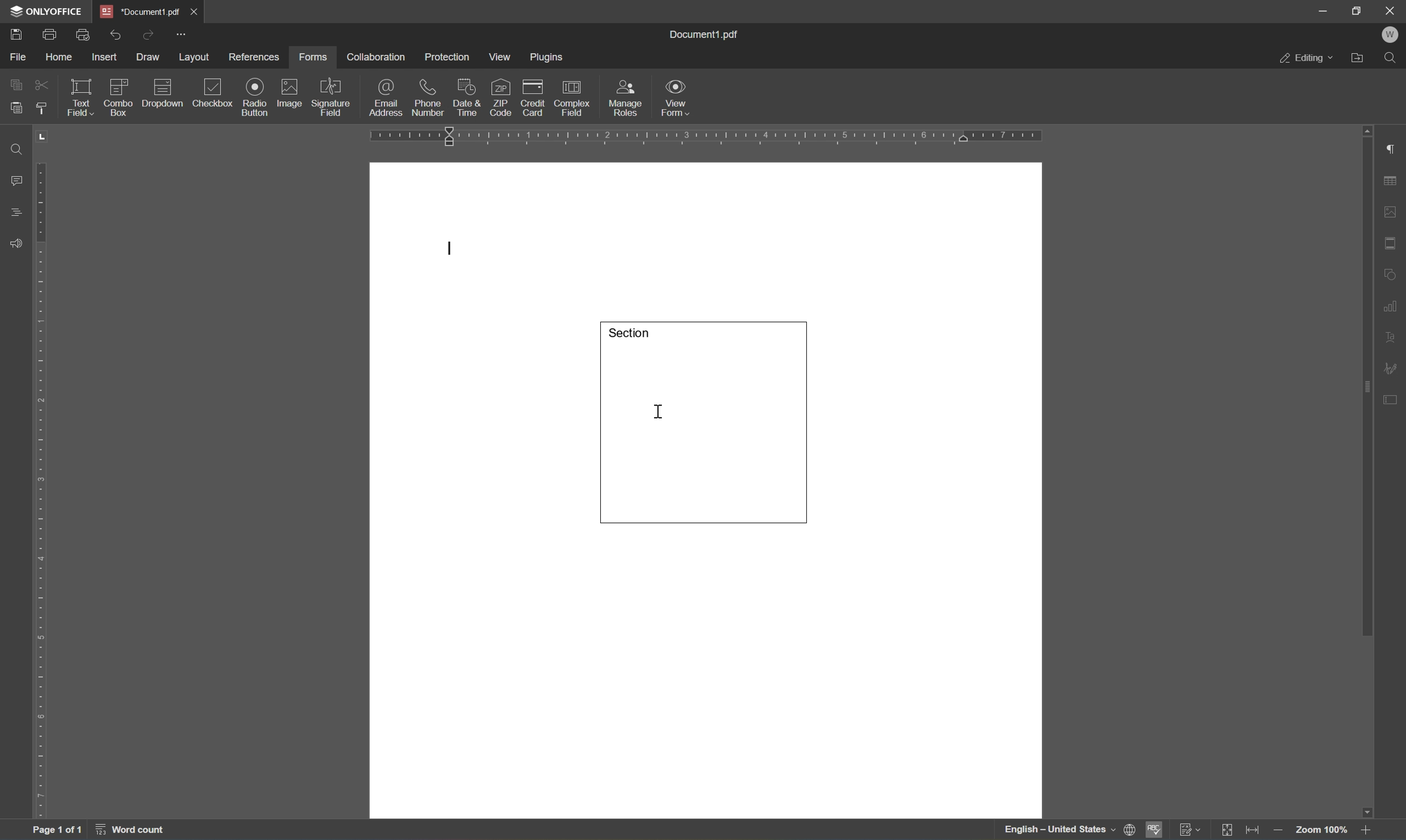  Describe the element at coordinates (41, 84) in the screenshot. I see `cut` at that location.